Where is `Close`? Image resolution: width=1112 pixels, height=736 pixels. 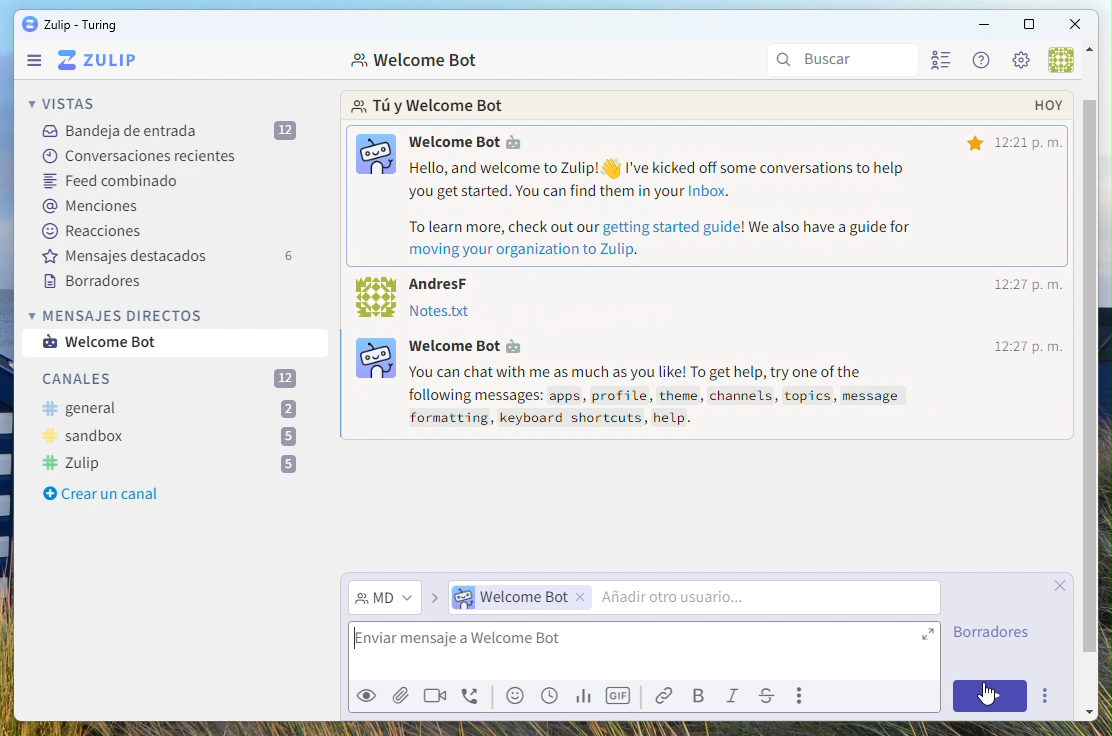
Close is located at coordinates (1077, 23).